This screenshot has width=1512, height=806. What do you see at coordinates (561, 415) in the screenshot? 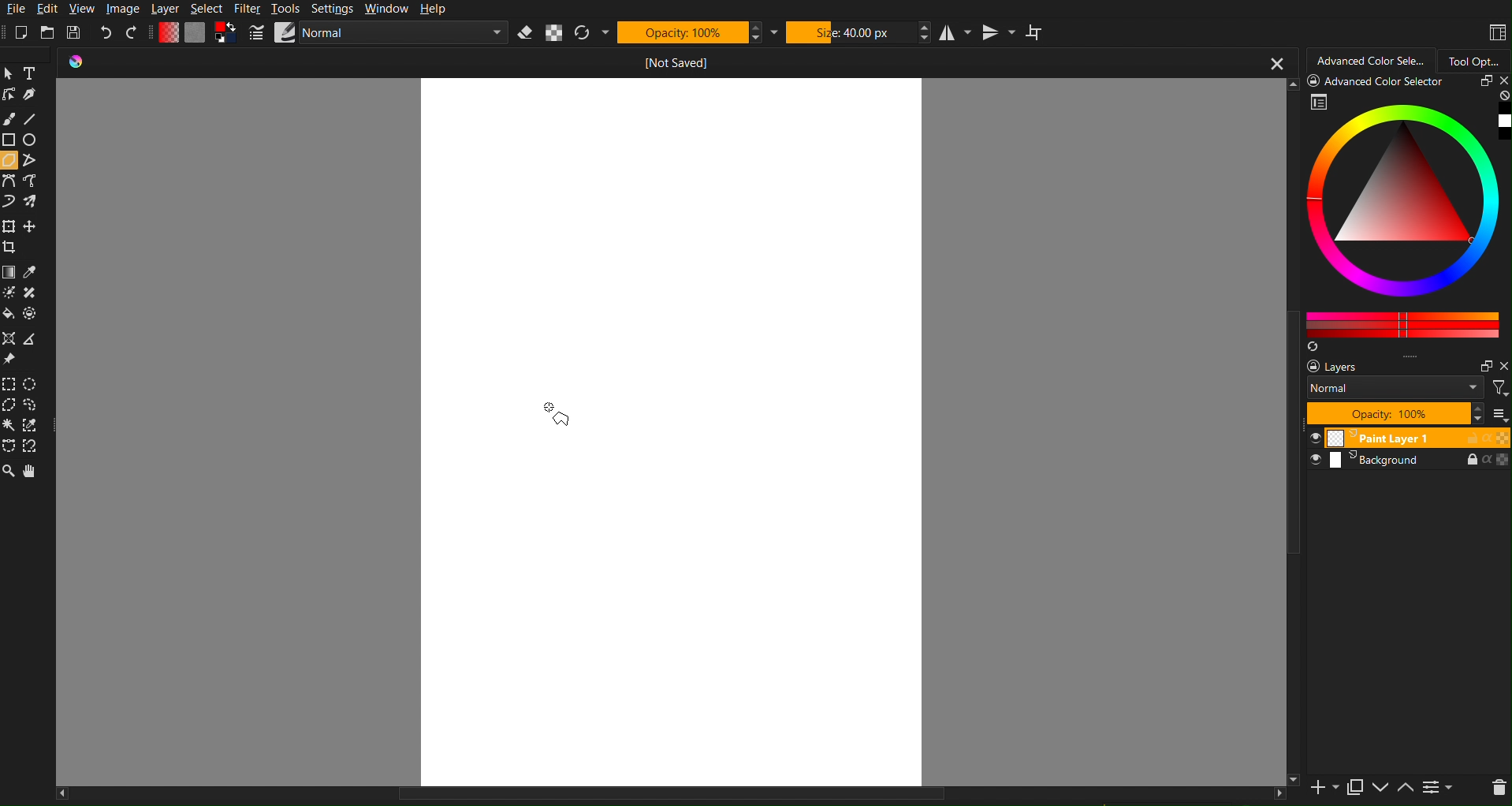
I see `Cursor` at bounding box center [561, 415].